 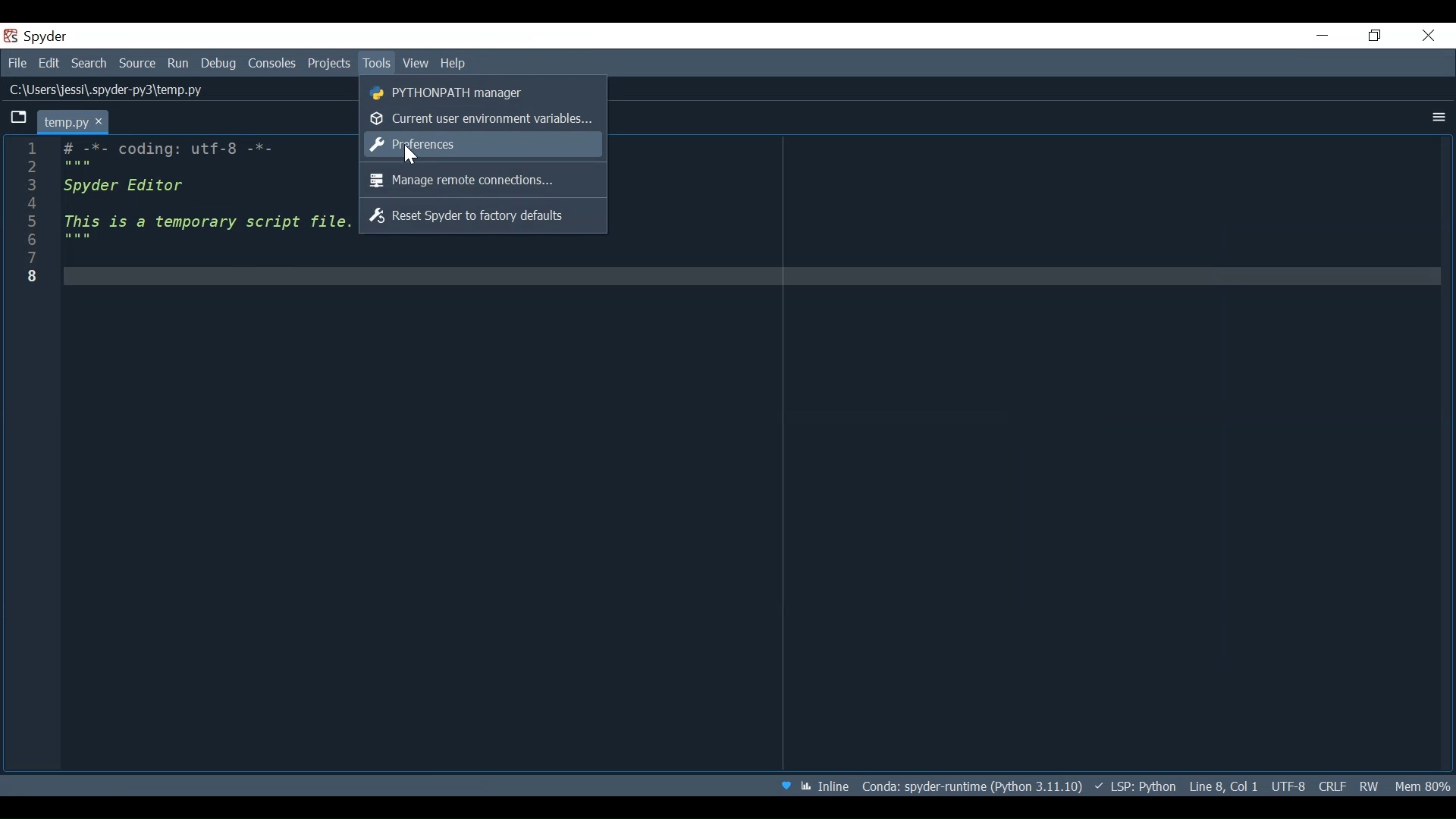 What do you see at coordinates (1438, 115) in the screenshot?
I see `More Options` at bounding box center [1438, 115].